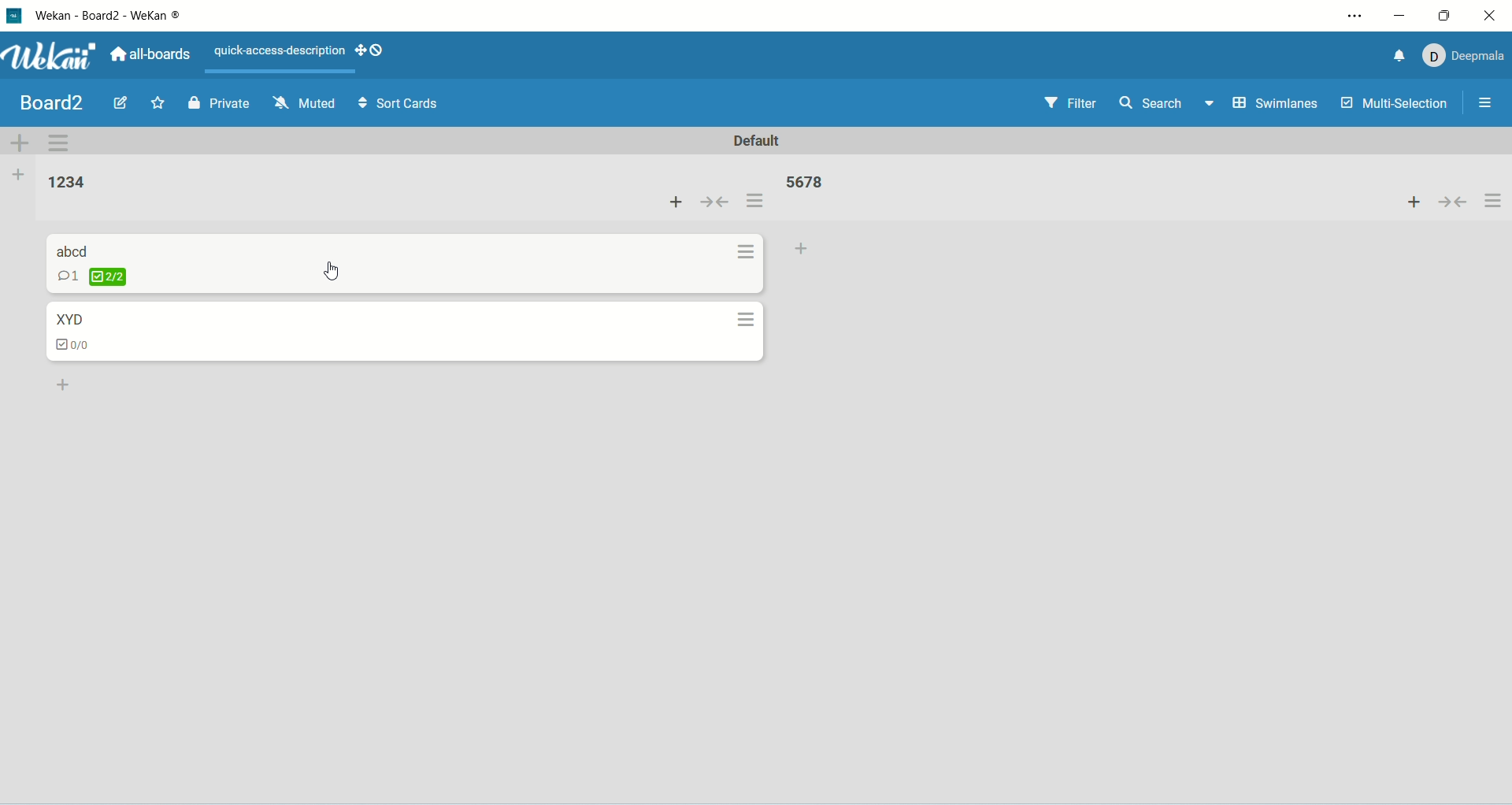 The image size is (1512, 805). Describe the element at coordinates (1395, 58) in the screenshot. I see `notification` at that location.